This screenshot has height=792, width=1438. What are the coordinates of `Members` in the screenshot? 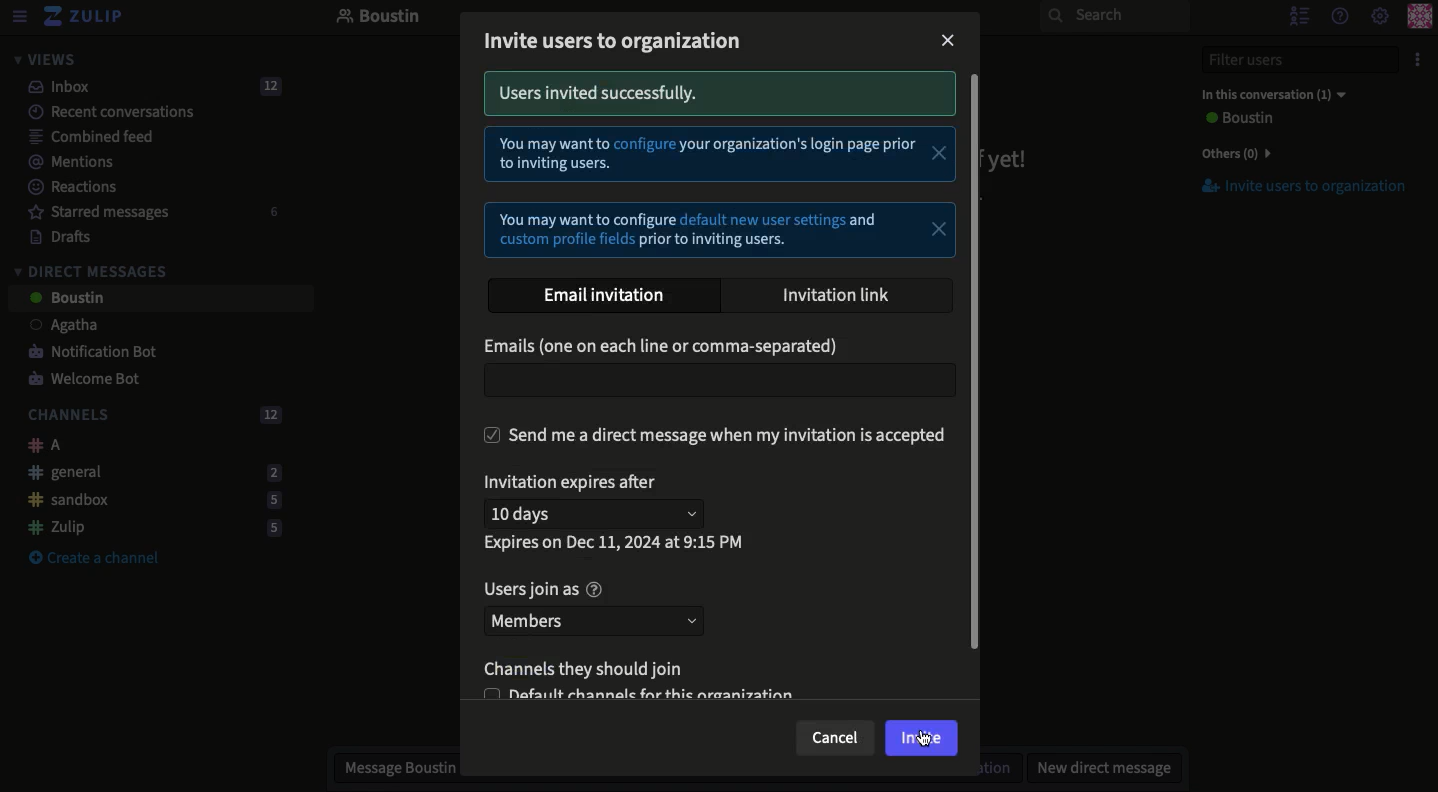 It's located at (596, 621).